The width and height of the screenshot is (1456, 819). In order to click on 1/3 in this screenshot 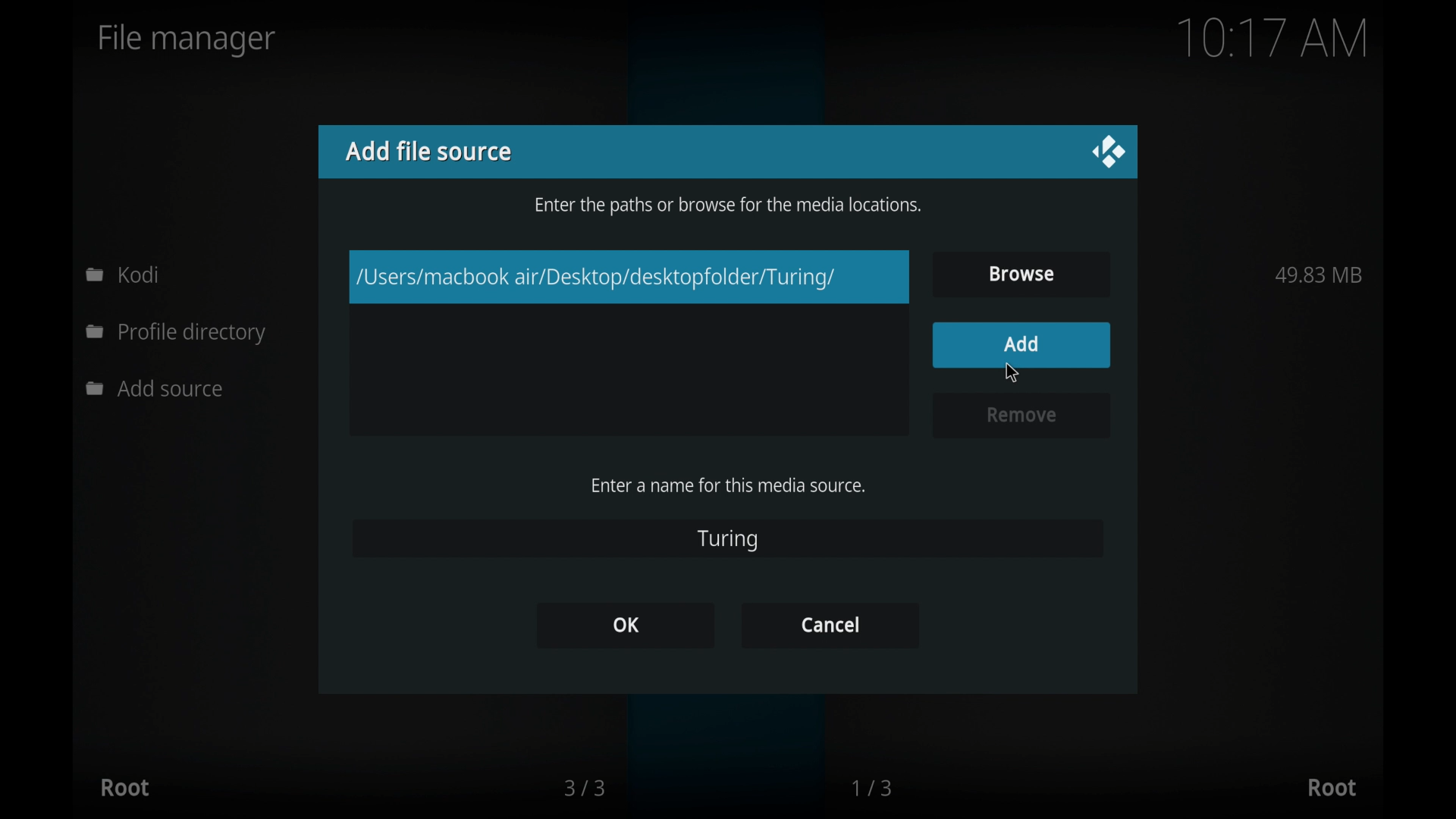, I will do `click(874, 788)`.